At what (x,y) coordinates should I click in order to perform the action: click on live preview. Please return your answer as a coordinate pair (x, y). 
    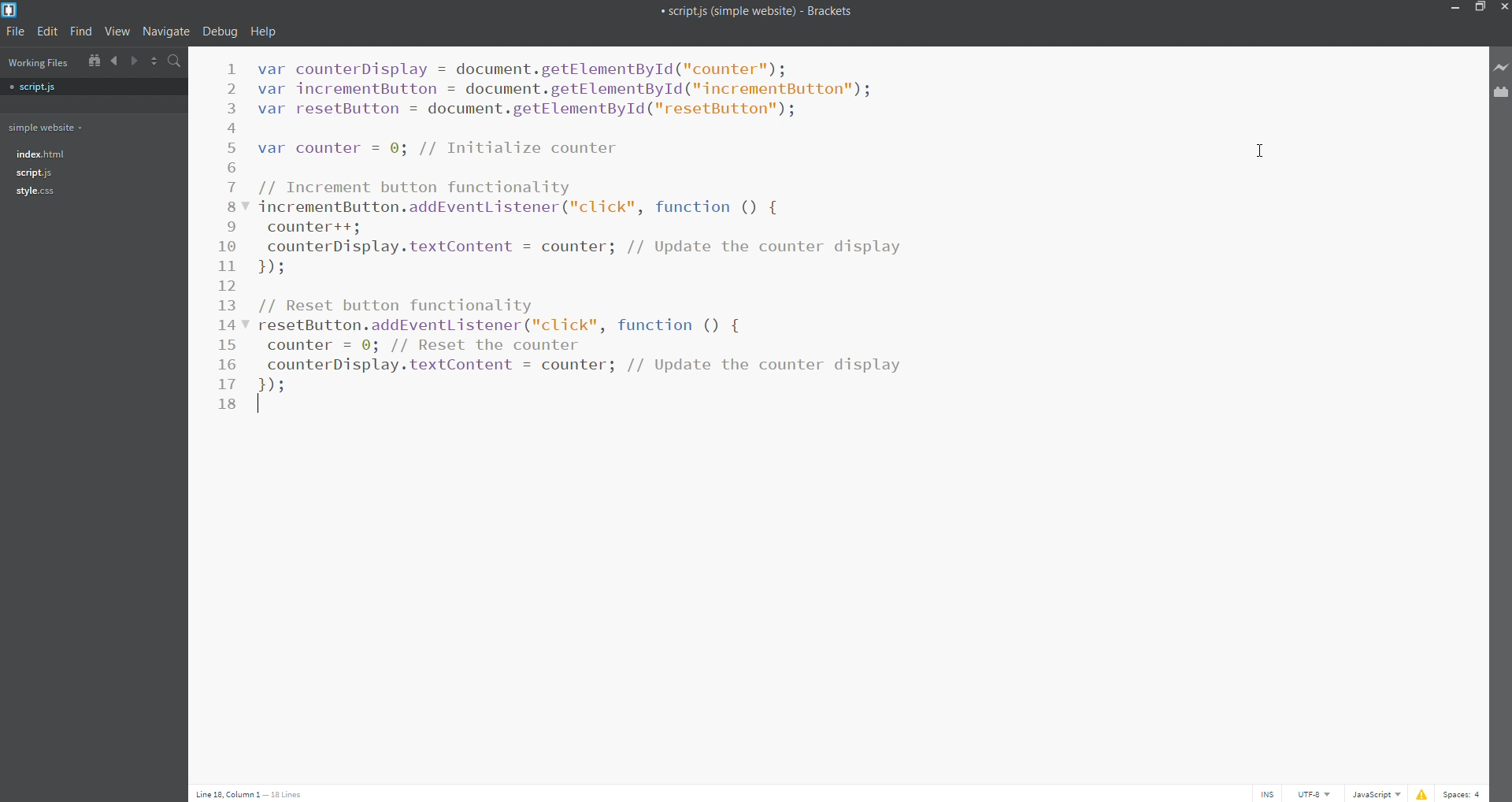
    Looking at the image, I should click on (1501, 66).